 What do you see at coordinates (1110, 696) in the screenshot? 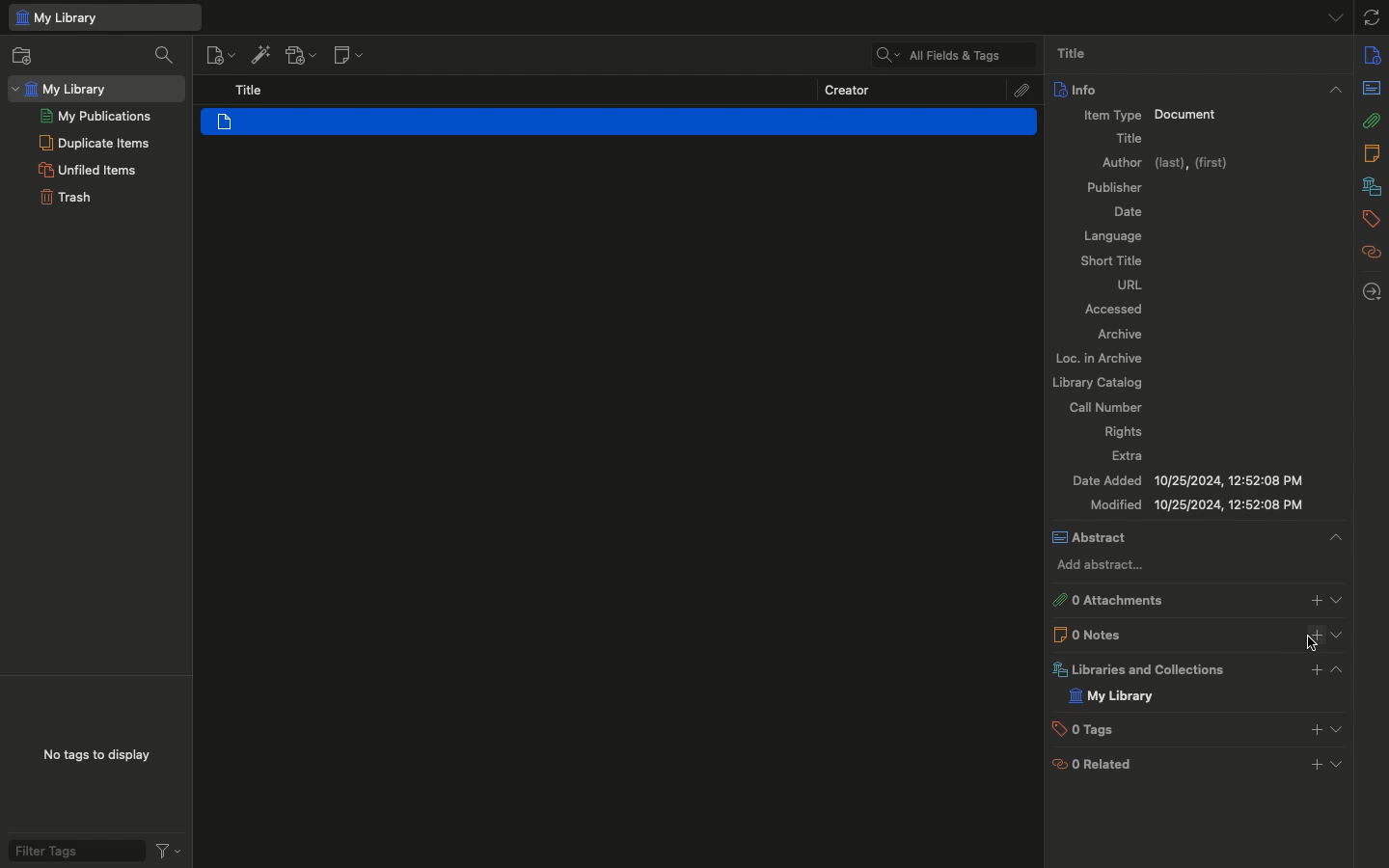
I see `My library` at bounding box center [1110, 696].